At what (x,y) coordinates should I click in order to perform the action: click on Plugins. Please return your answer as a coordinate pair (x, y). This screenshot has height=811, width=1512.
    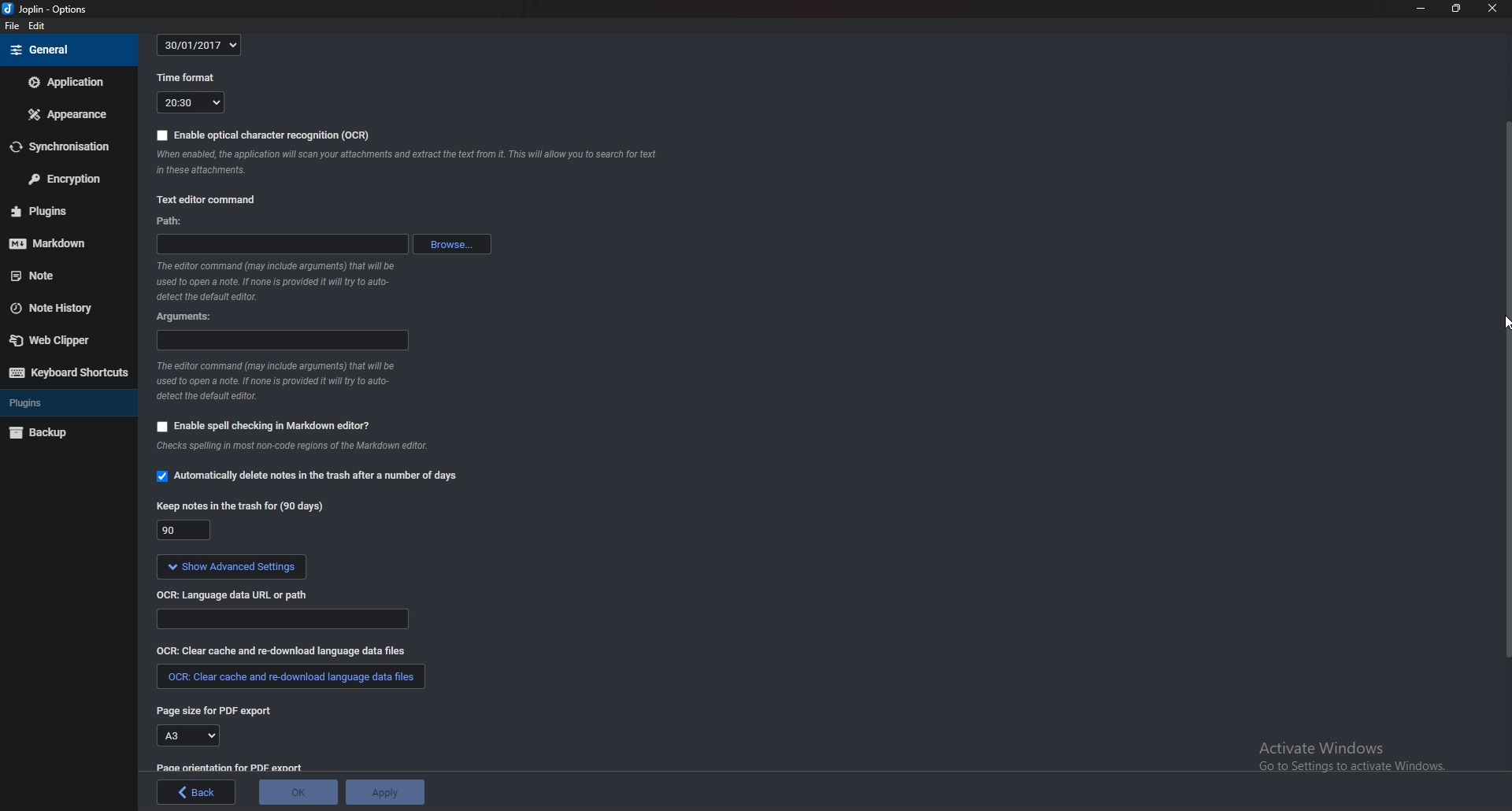
    Looking at the image, I should click on (64, 210).